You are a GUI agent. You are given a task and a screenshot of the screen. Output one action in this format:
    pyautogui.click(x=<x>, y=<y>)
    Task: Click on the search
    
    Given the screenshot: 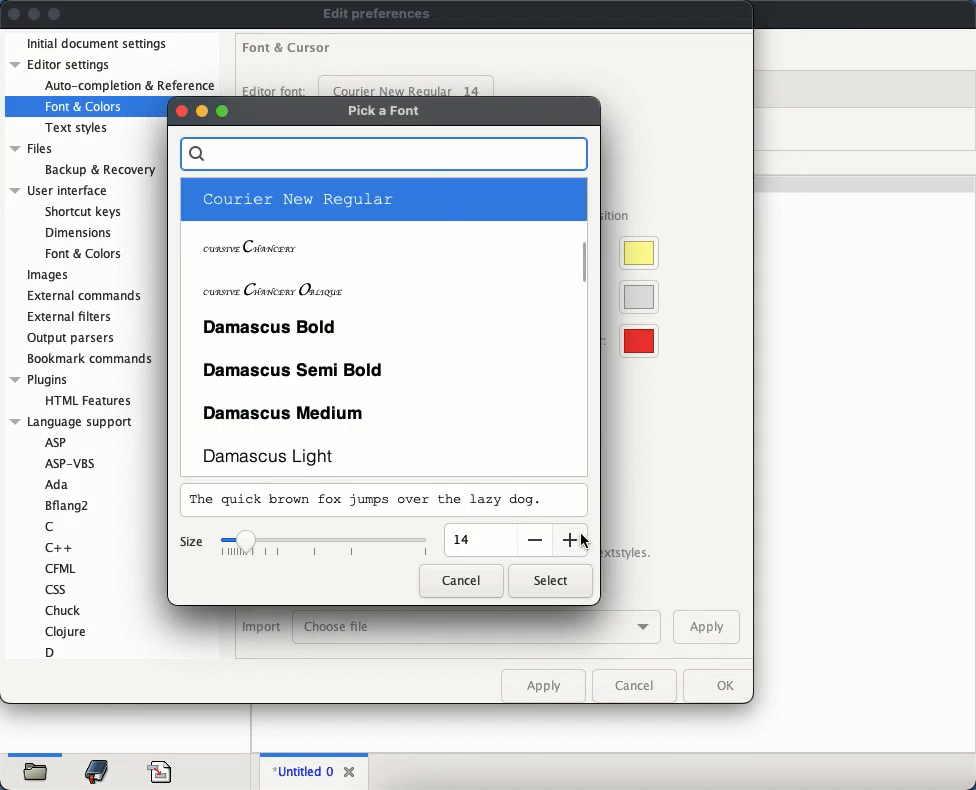 What is the action you would take?
    pyautogui.click(x=384, y=155)
    